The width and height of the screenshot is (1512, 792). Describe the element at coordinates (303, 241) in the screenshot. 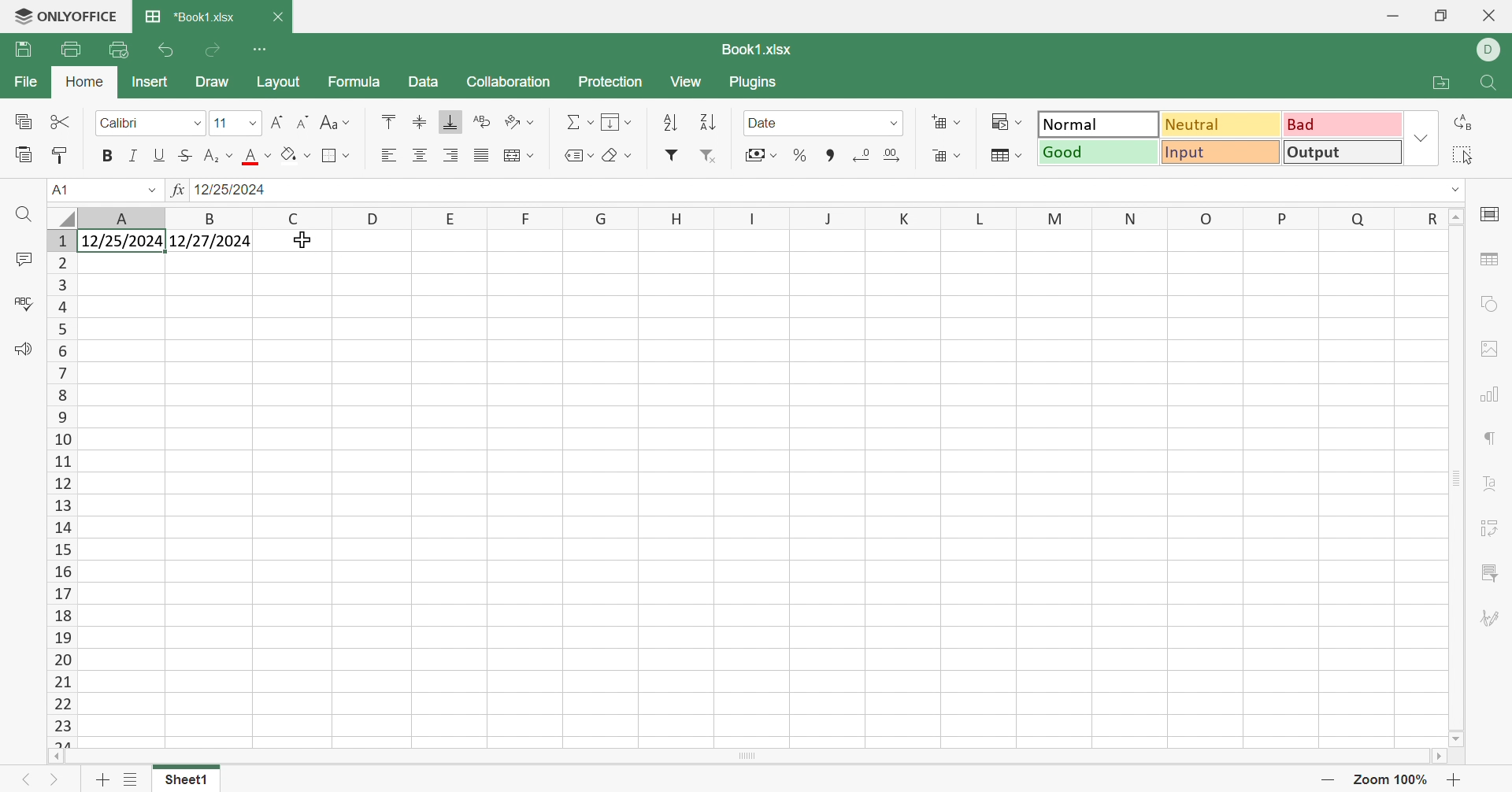

I see `cURSOR` at that location.